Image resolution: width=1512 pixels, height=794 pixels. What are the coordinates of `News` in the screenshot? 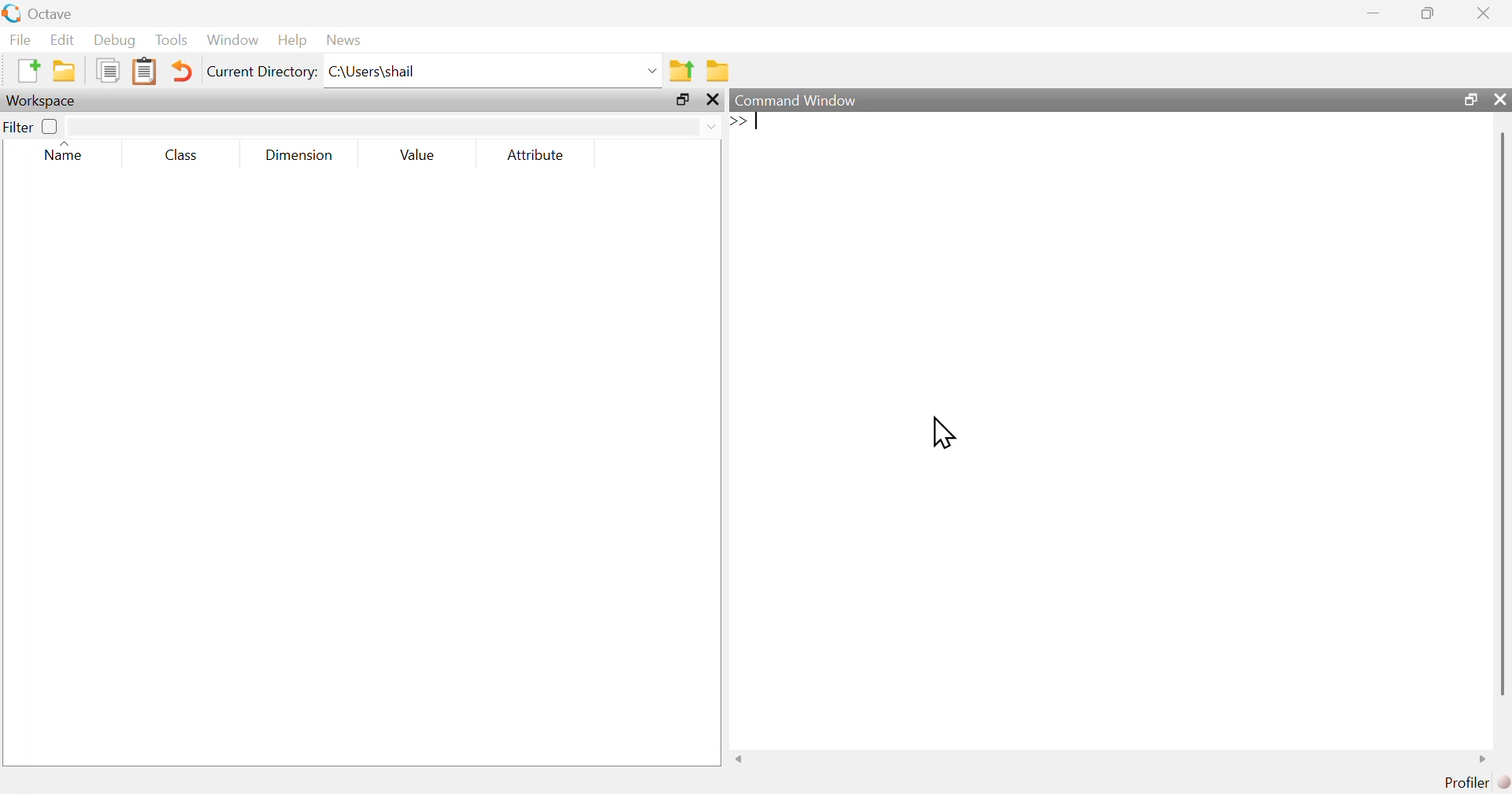 It's located at (343, 39).